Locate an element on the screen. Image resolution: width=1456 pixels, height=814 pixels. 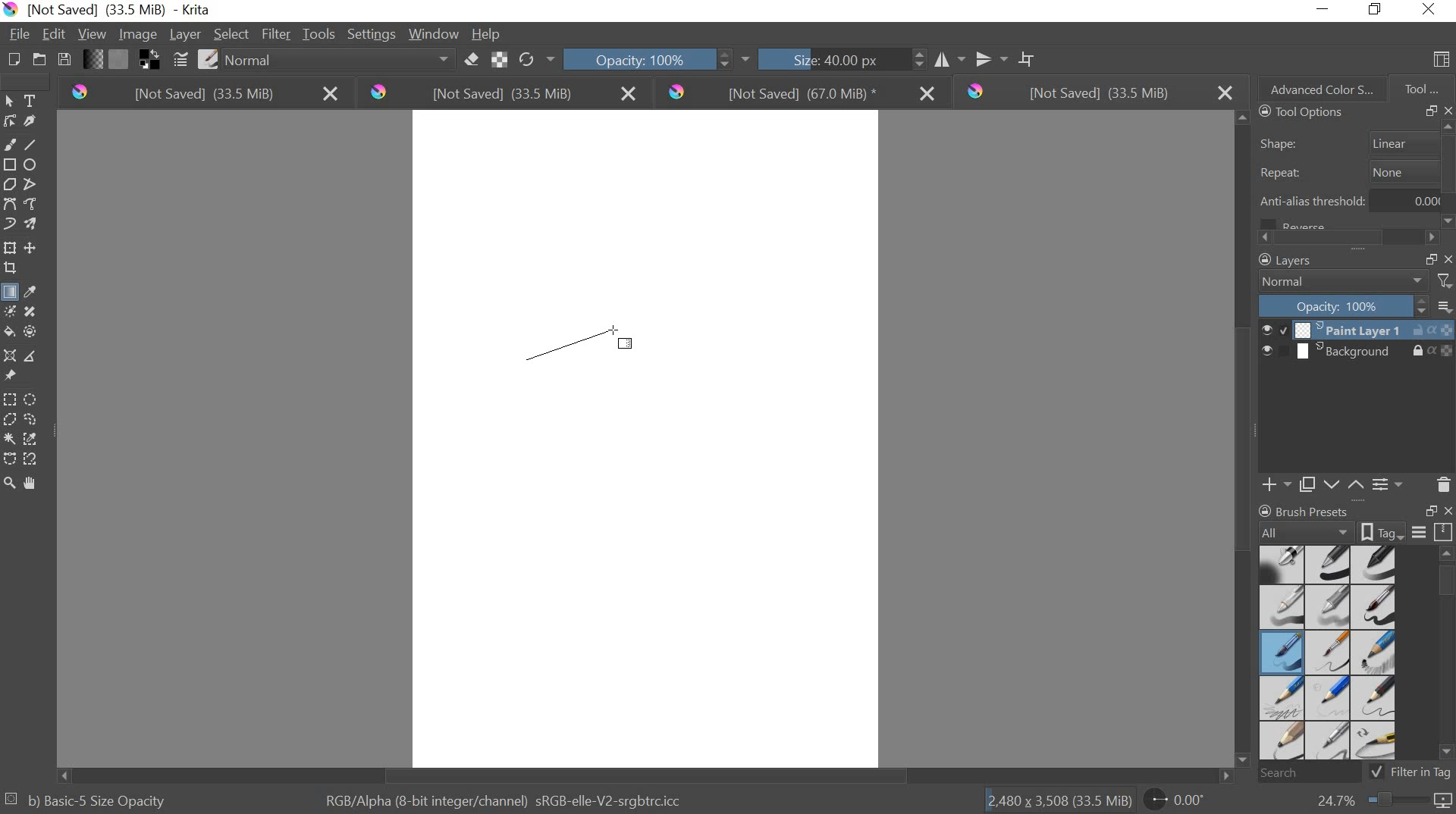
enclose and fill is located at coordinates (33, 331).